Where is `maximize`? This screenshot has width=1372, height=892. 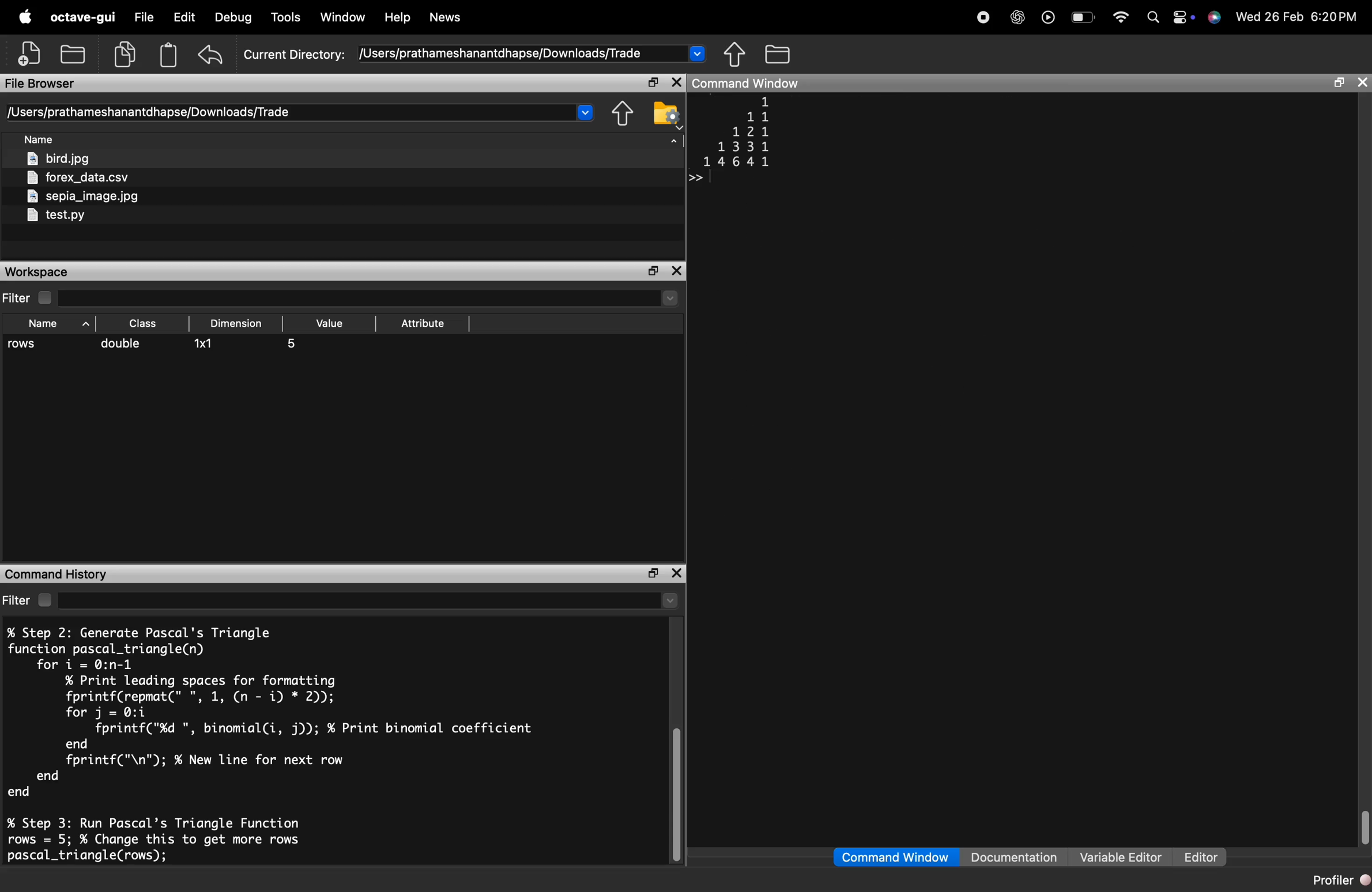
maximize is located at coordinates (653, 83).